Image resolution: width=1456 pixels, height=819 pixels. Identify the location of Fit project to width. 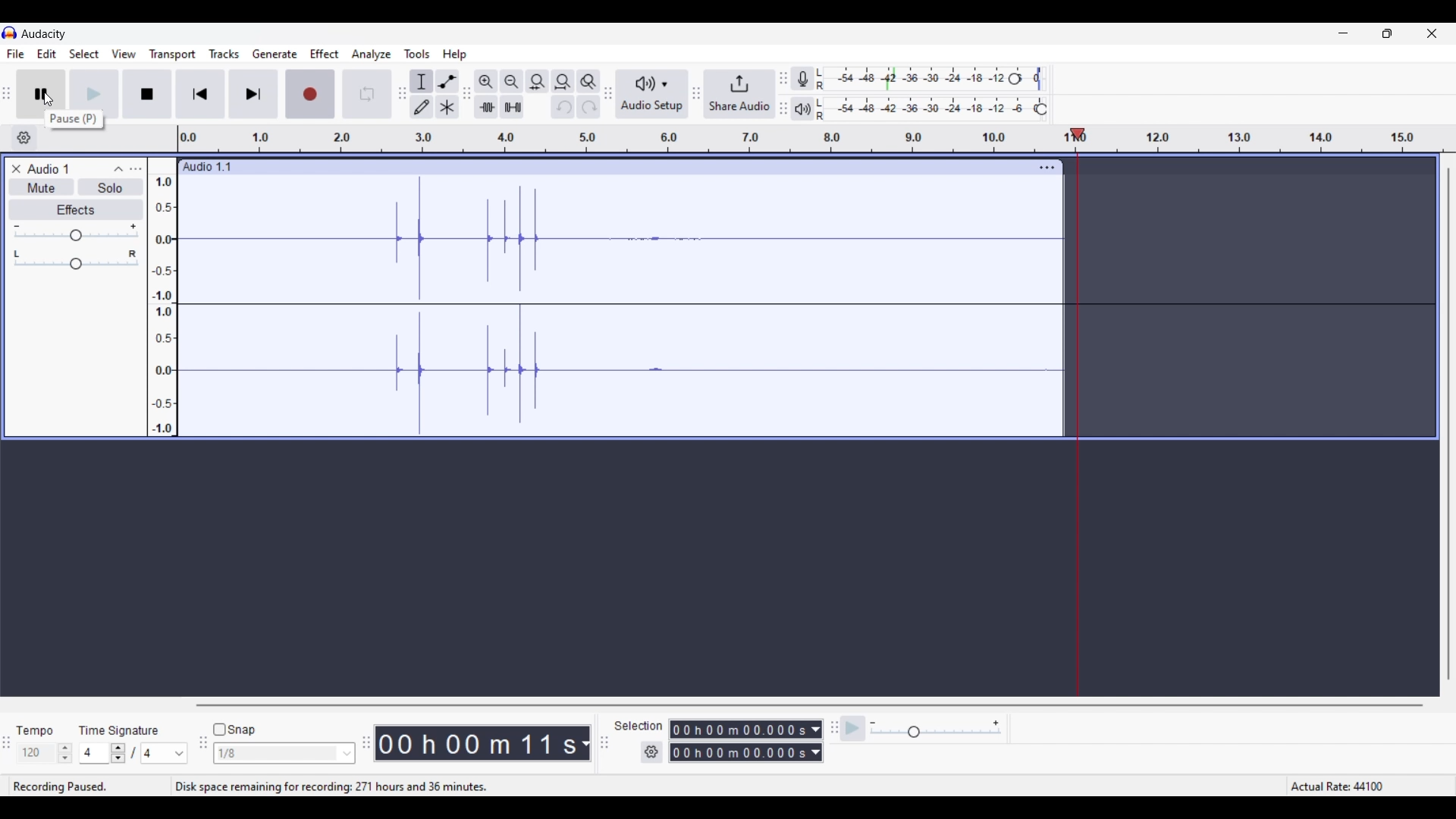
(563, 82).